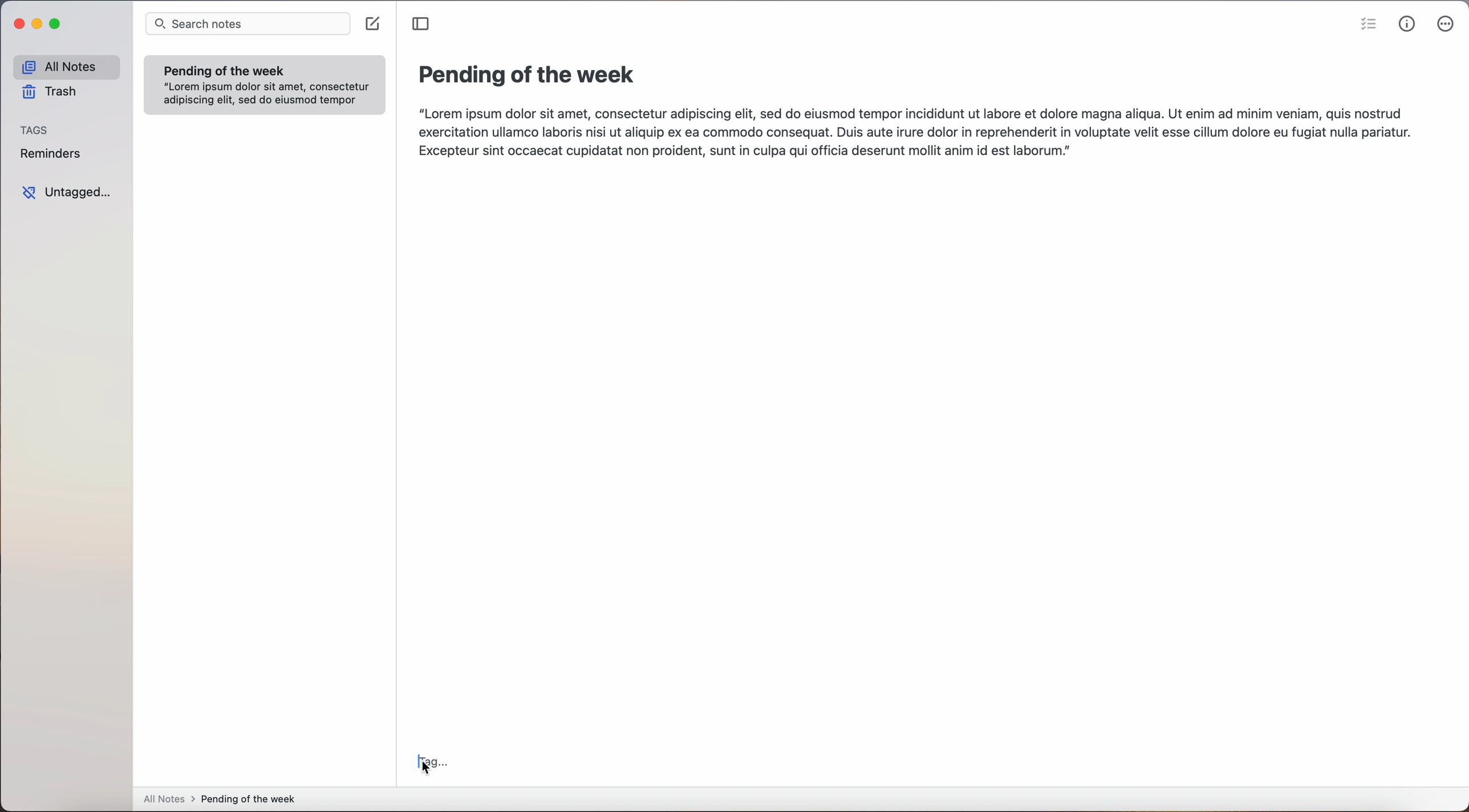 The image size is (1469, 812). Describe the element at coordinates (34, 129) in the screenshot. I see `tags` at that location.